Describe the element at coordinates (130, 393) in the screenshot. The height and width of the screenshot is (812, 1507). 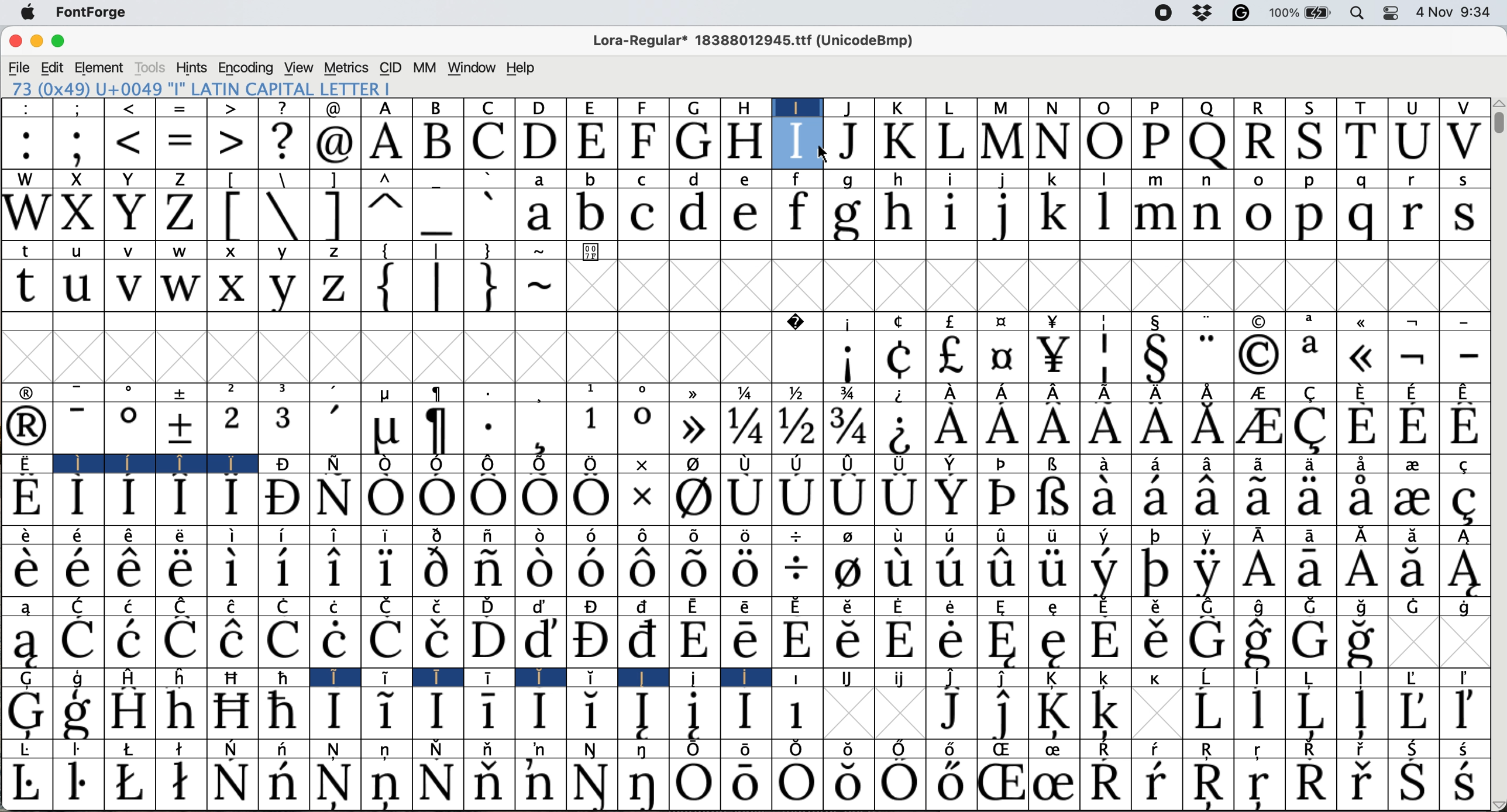
I see `o` at that location.